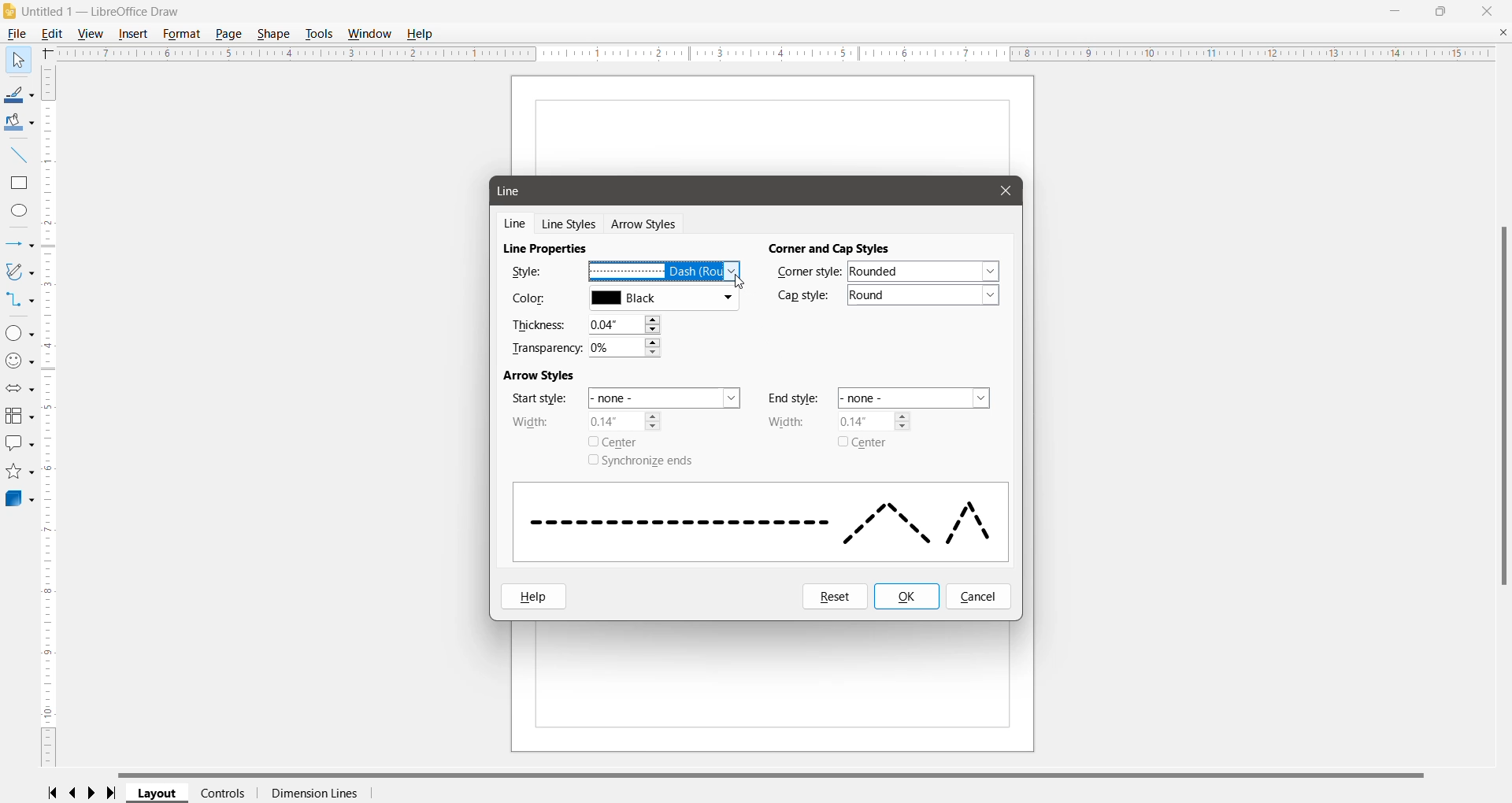 The width and height of the screenshot is (1512, 803). I want to click on Line Color, so click(20, 95).